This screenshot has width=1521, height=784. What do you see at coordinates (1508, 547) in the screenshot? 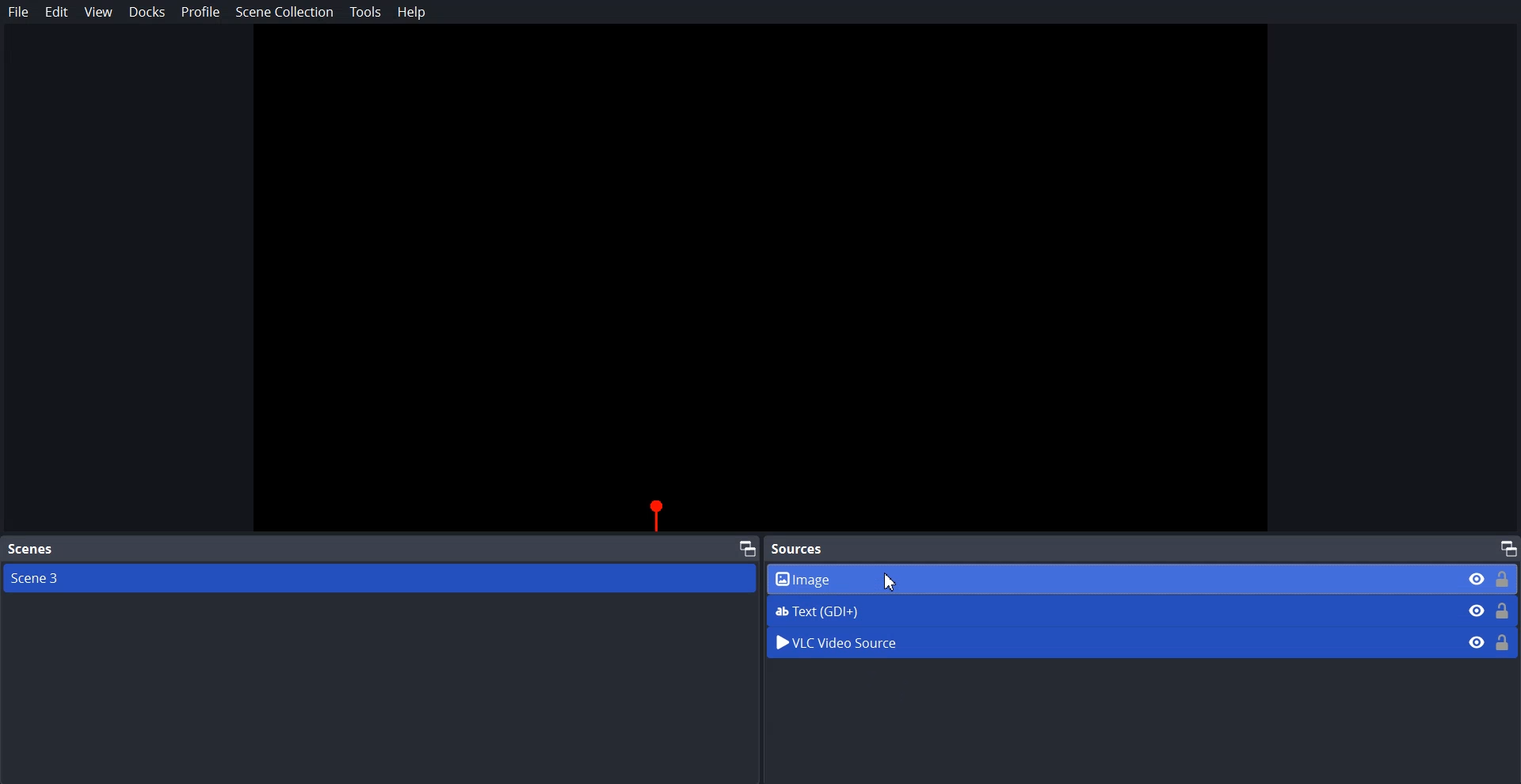
I see `Maximize` at bounding box center [1508, 547].